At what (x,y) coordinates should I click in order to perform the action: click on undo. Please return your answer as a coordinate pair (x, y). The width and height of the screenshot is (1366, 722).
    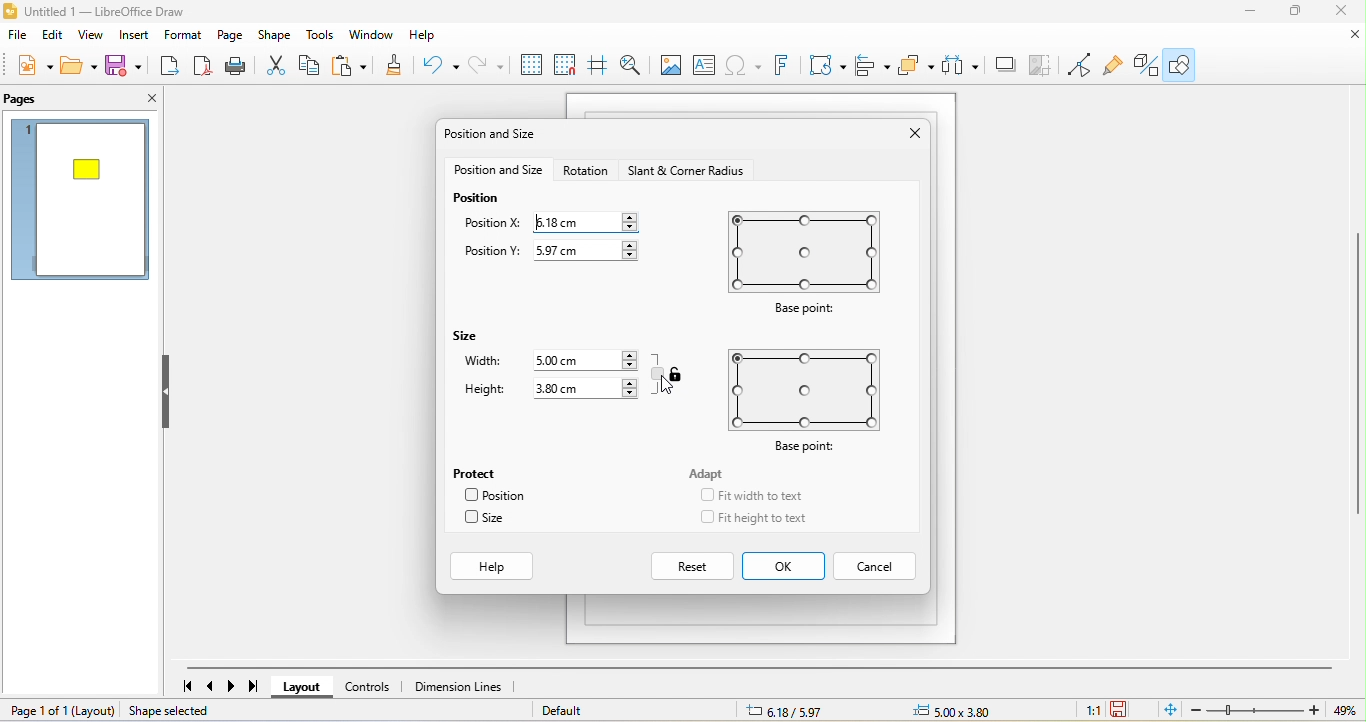
    Looking at the image, I should click on (437, 65).